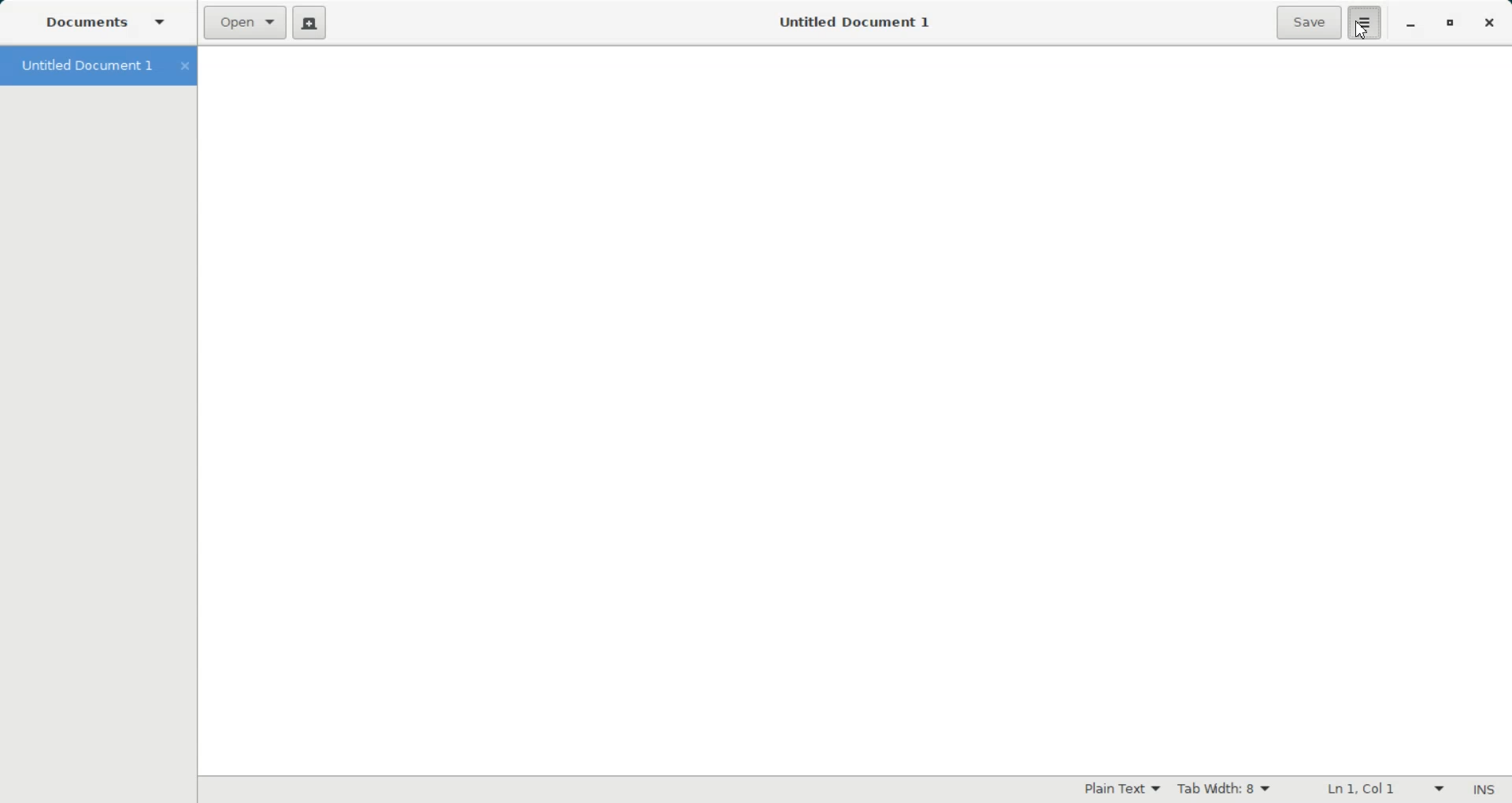 The image size is (1512, 803). What do you see at coordinates (1451, 23) in the screenshot?
I see `Maximize` at bounding box center [1451, 23].